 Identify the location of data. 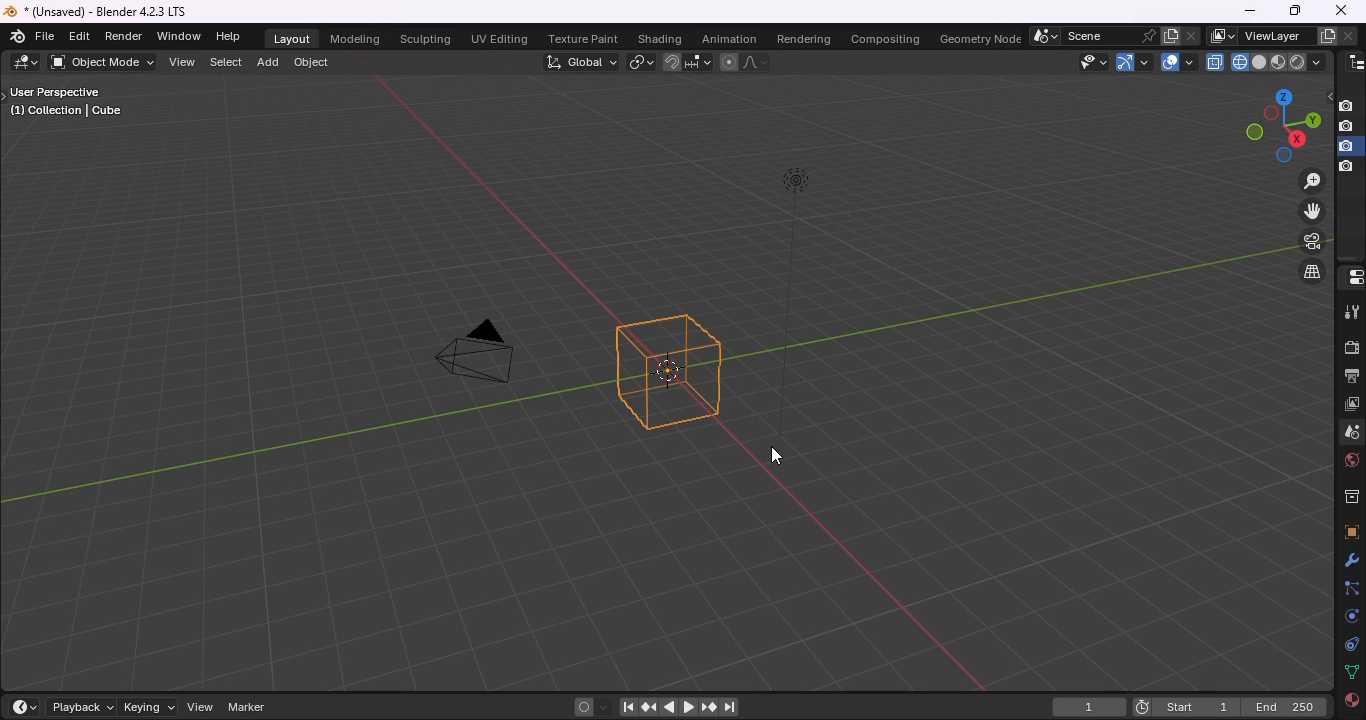
(1352, 672).